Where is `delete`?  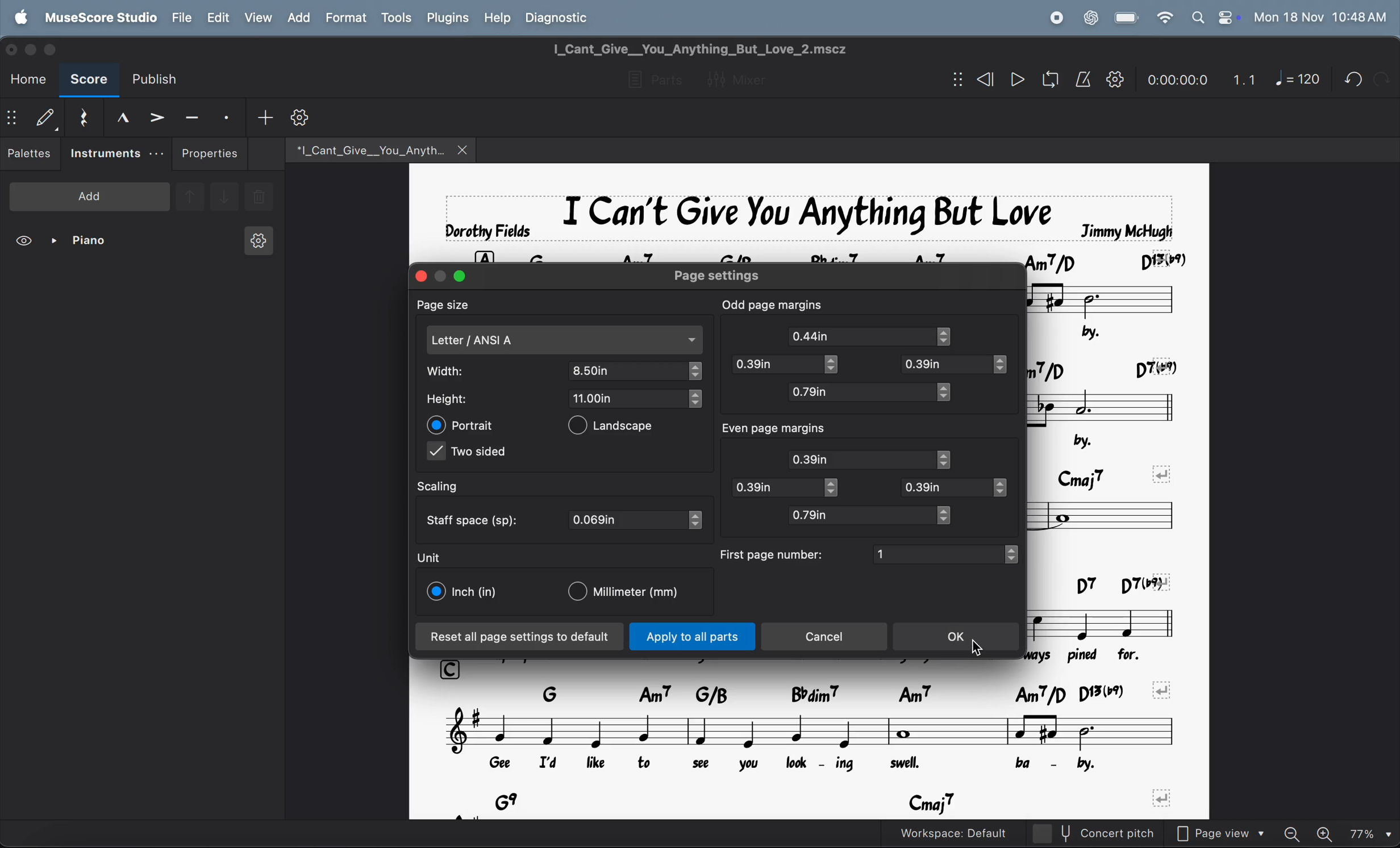
delete is located at coordinates (259, 198).